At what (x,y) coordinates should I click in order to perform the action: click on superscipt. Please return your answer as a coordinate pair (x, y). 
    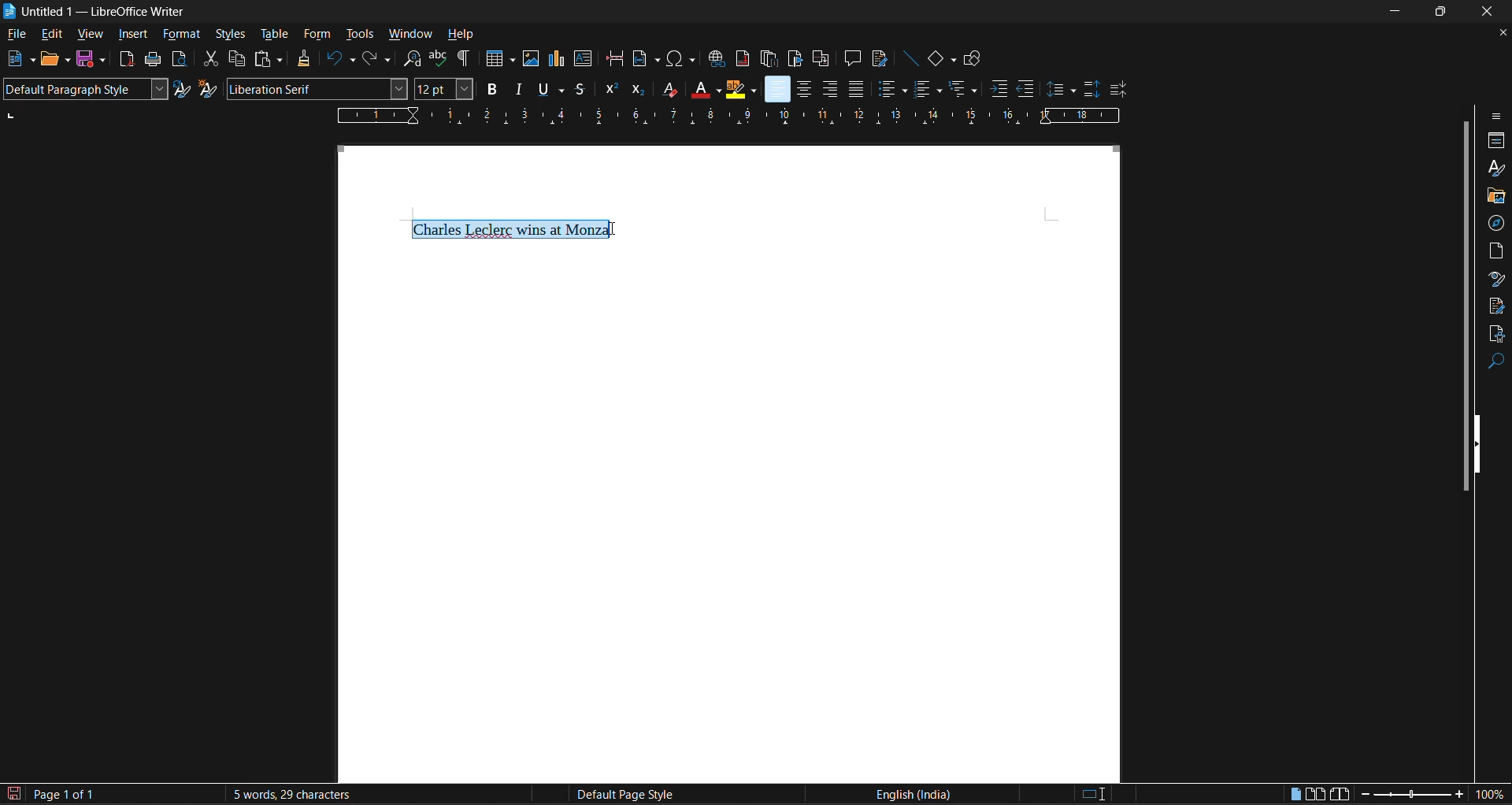
    Looking at the image, I should click on (610, 90).